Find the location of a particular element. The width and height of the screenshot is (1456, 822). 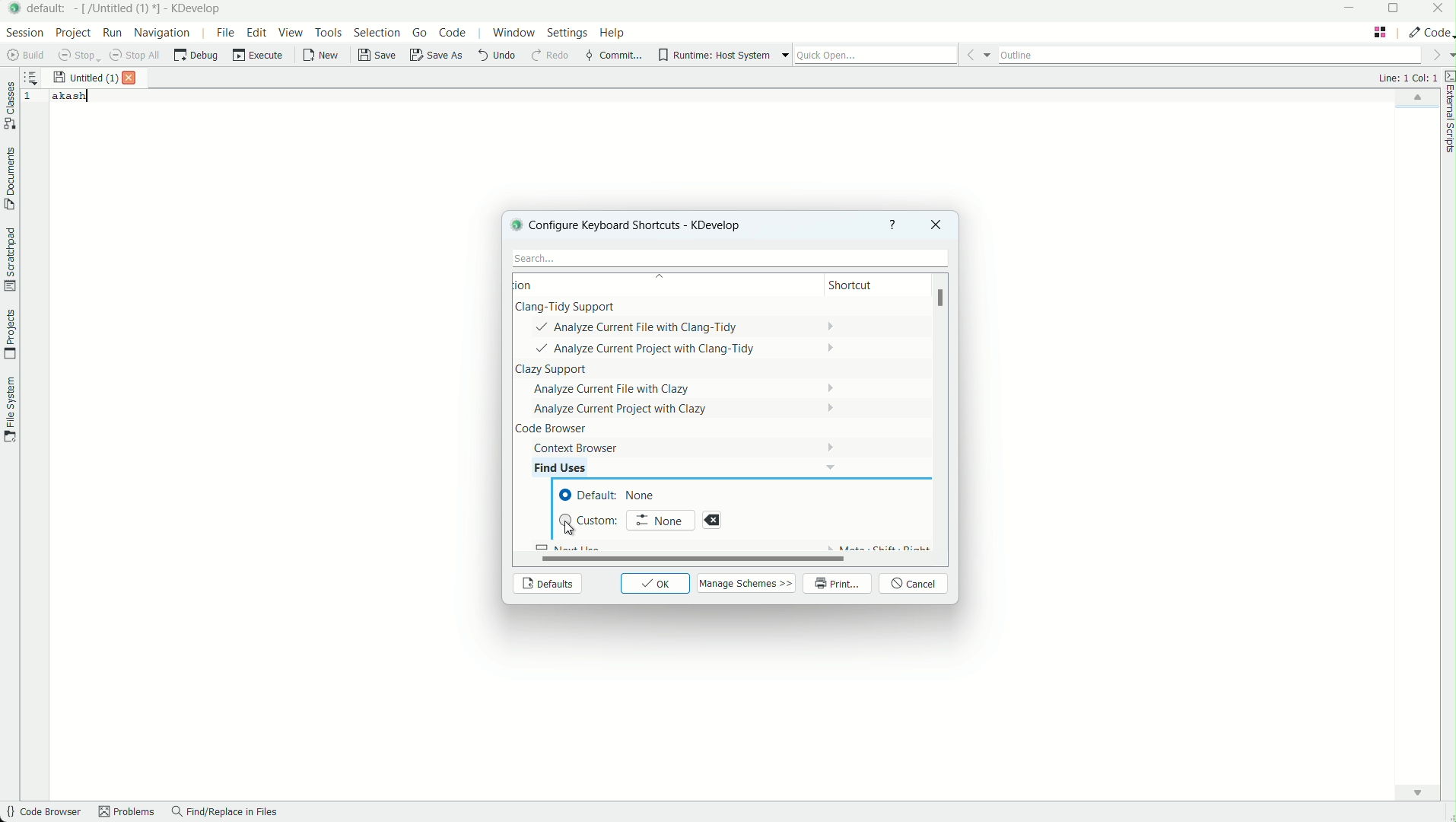

shortcut is located at coordinates (864, 286).